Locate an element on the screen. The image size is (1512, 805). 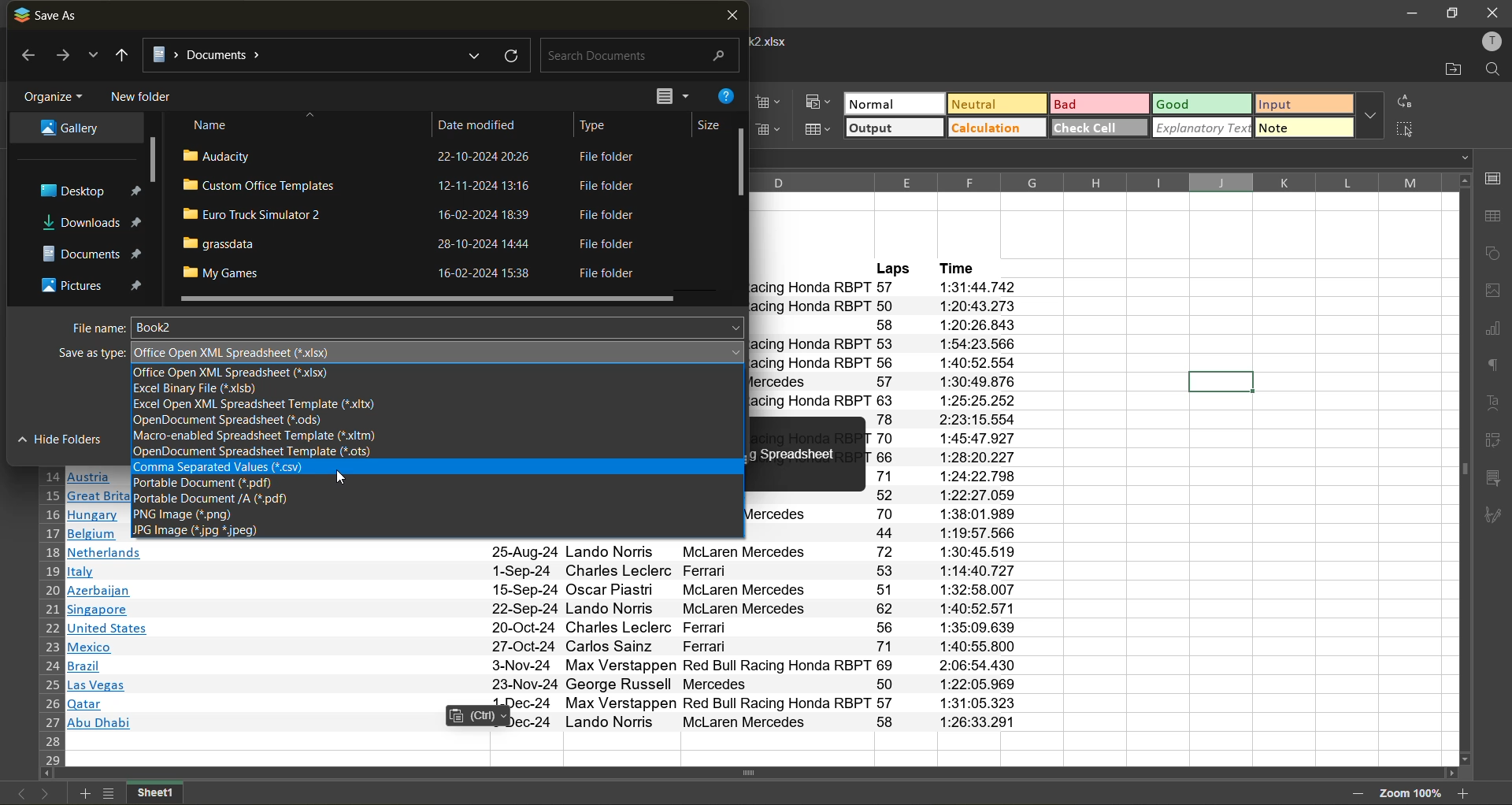
folder is located at coordinates (66, 129).